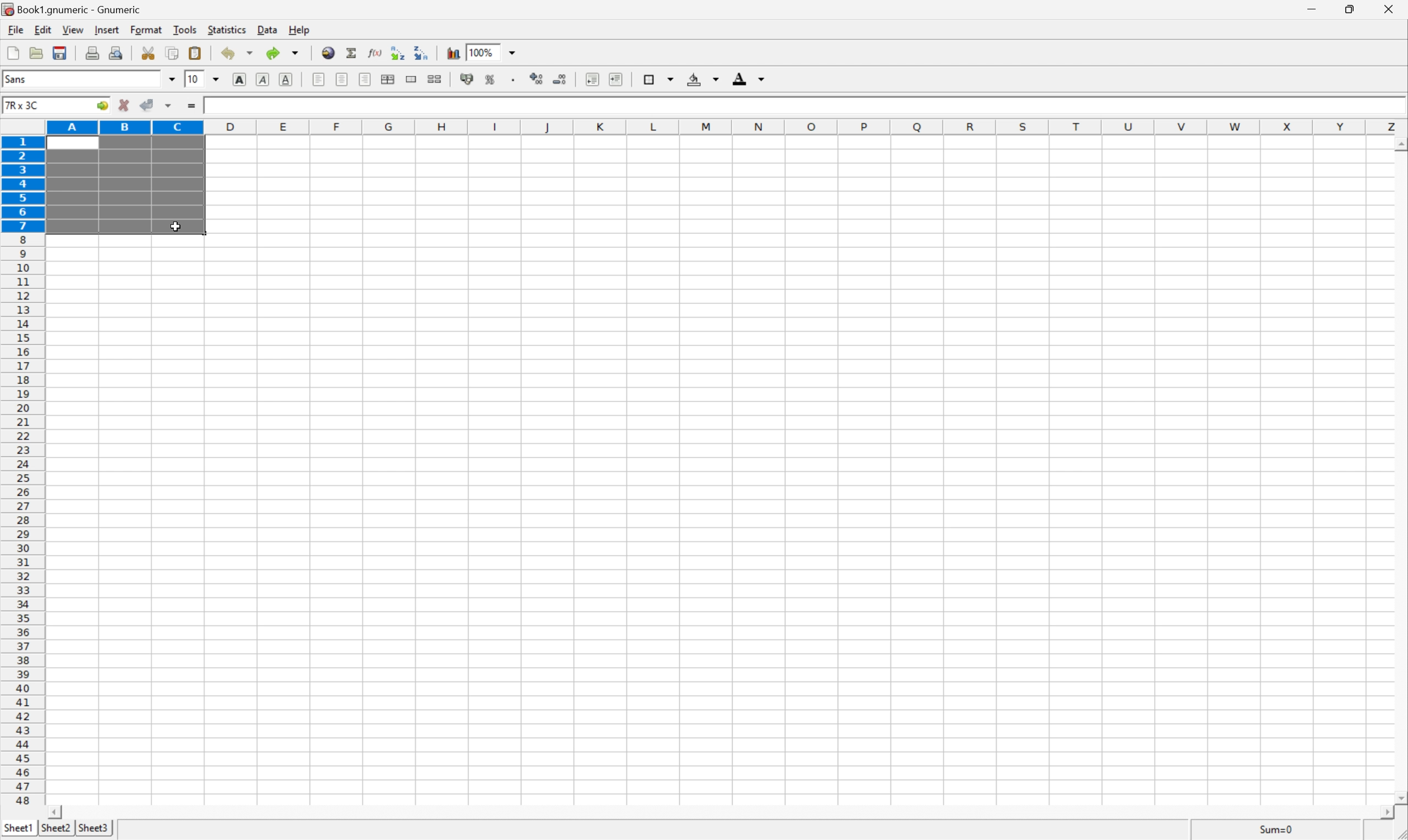 The height and width of the screenshot is (840, 1408). What do you see at coordinates (390, 79) in the screenshot?
I see `center horizontally` at bounding box center [390, 79].